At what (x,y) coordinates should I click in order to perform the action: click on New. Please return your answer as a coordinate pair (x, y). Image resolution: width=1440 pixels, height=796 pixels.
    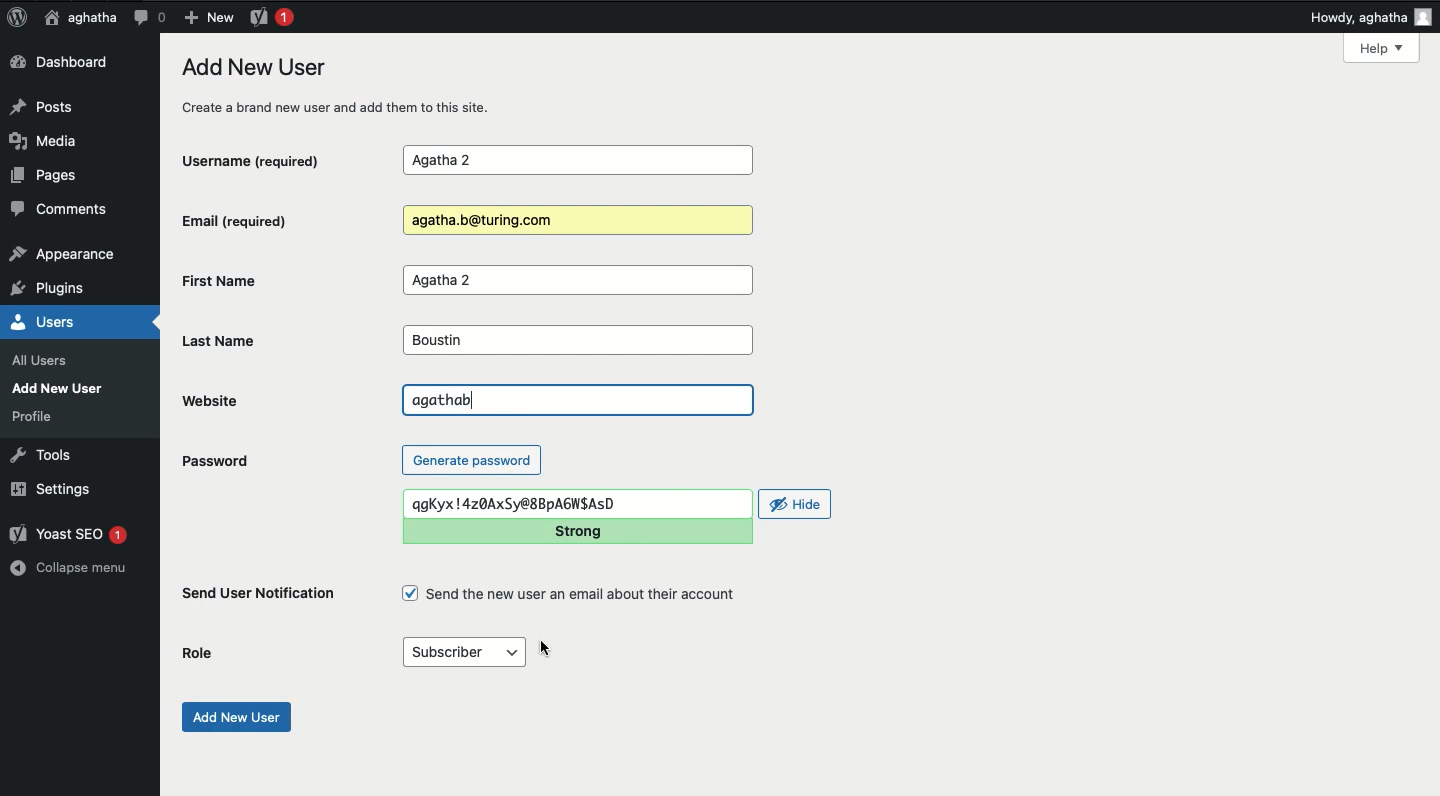
    Looking at the image, I should click on (208, 16).